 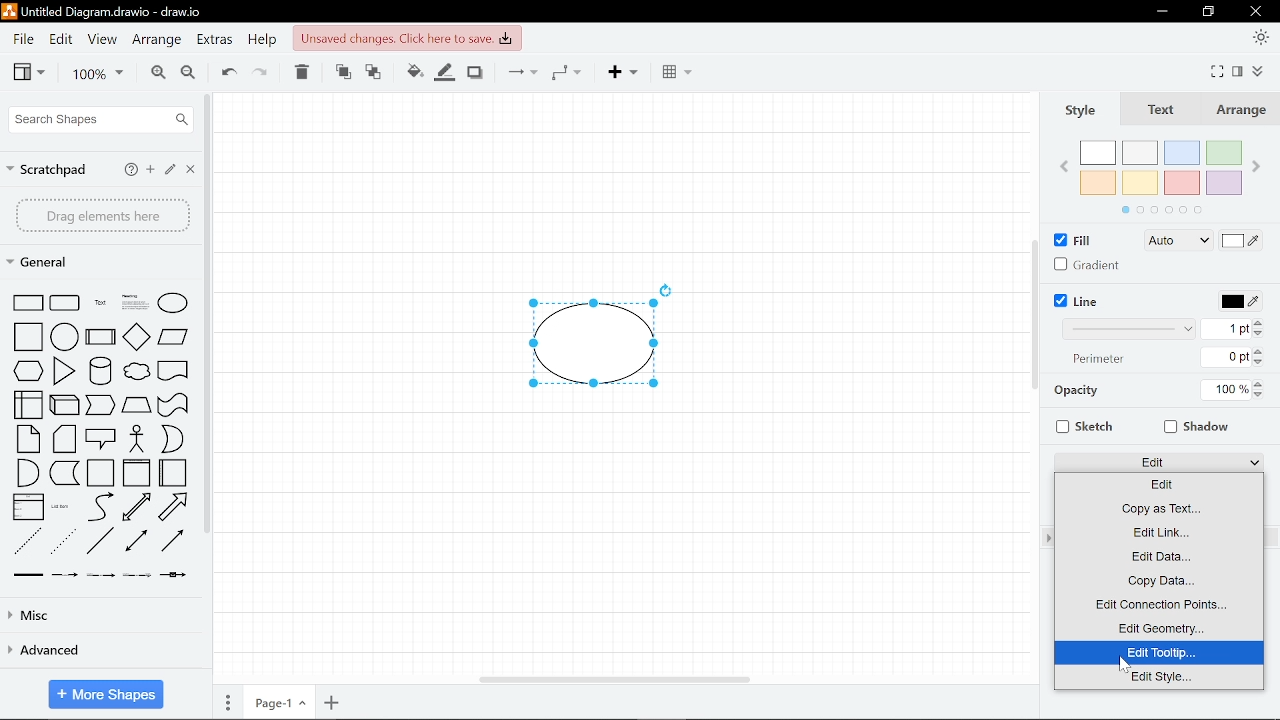 What do you see at coordinates (135, 575) in the screenshot?
I see `connector with 3 labels` at bounding box center [135, 575].